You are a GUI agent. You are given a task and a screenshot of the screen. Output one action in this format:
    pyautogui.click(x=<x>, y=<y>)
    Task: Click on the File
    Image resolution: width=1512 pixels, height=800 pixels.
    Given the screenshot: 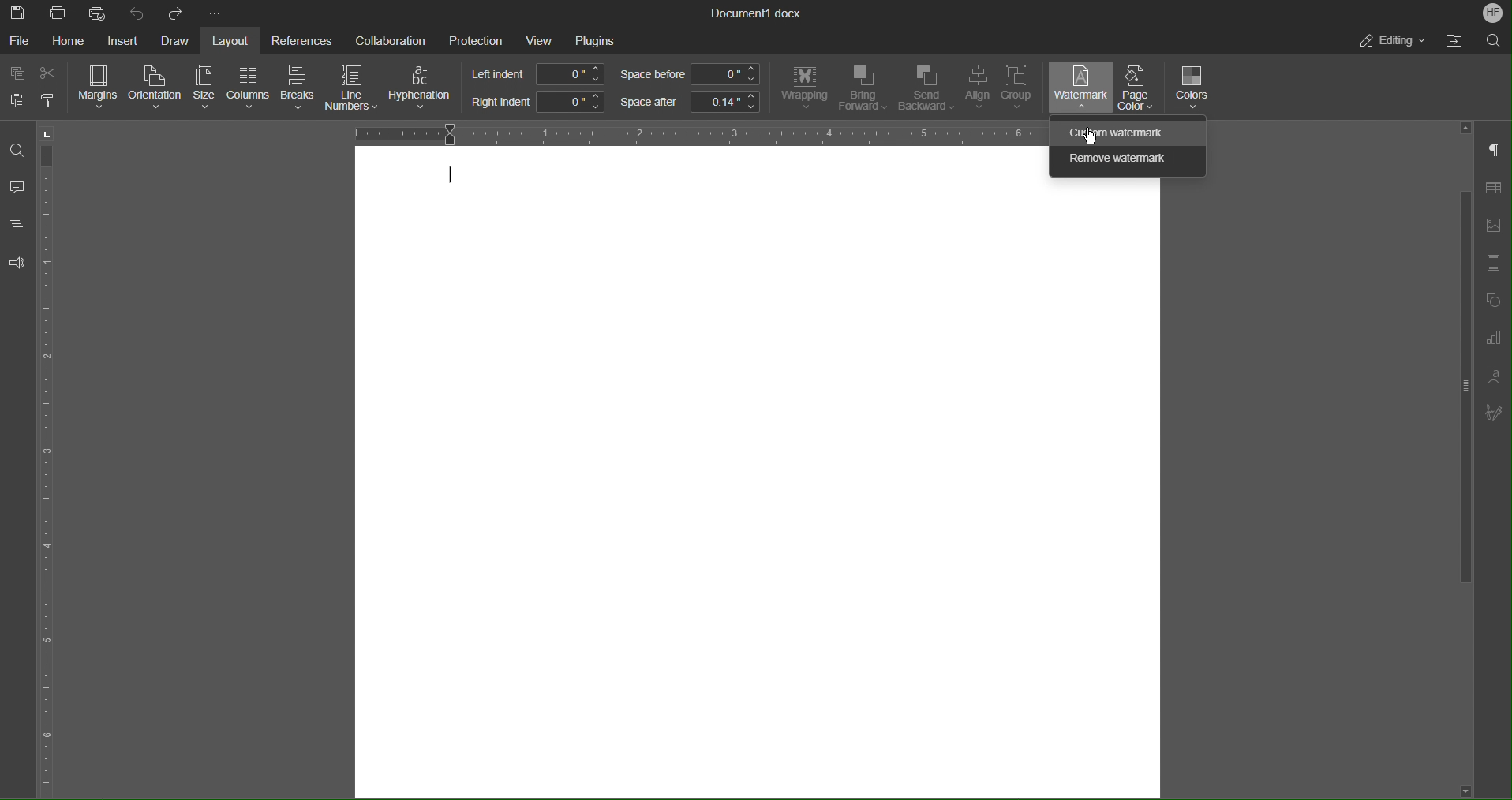 What is the action you would take?
    pyautogui.click(x=21, y=40)
    